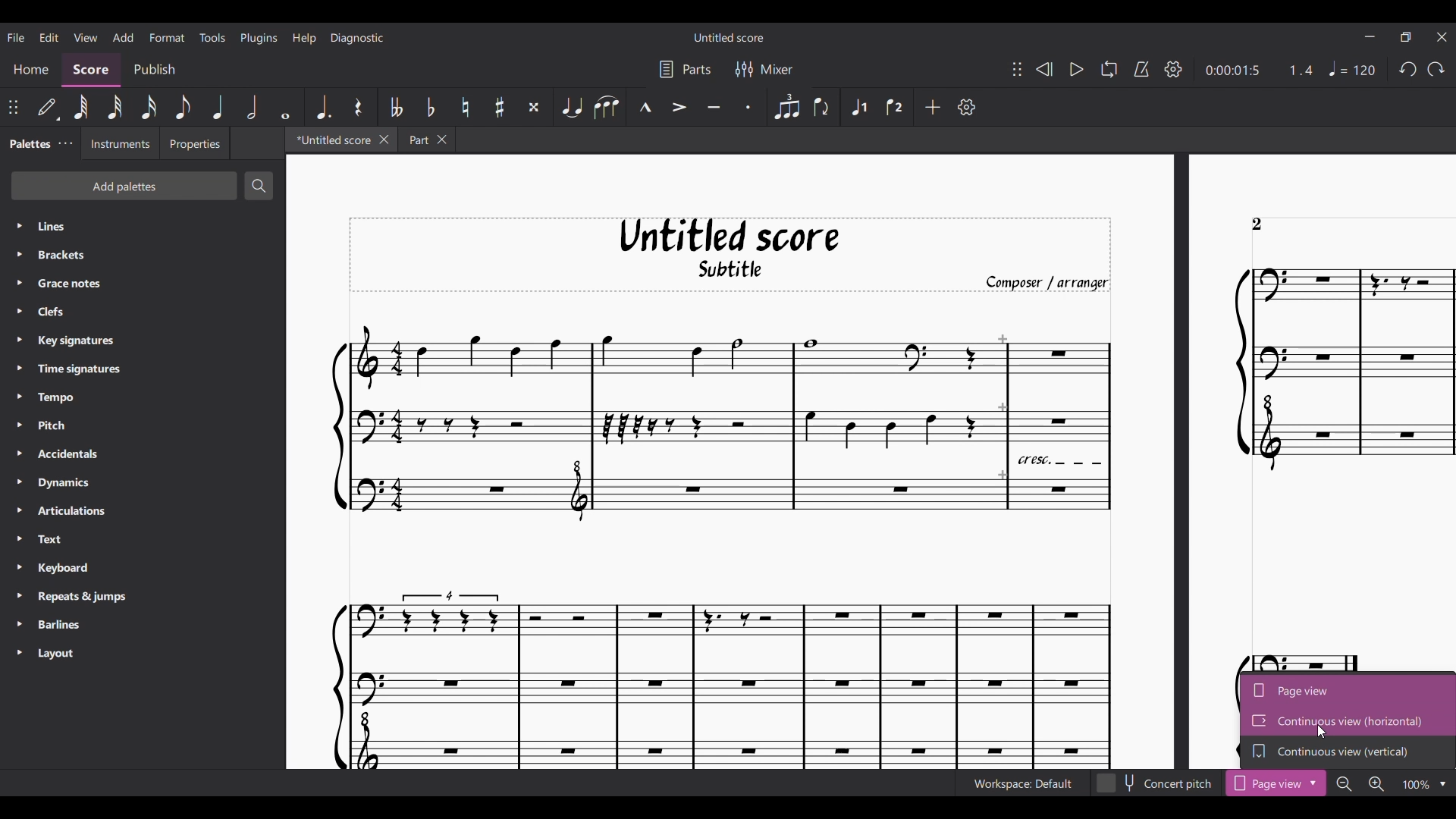  What do you see at coordinates (1408, 70) in the screenshot?
I see `Undo` at bounding box center [1408, 70].